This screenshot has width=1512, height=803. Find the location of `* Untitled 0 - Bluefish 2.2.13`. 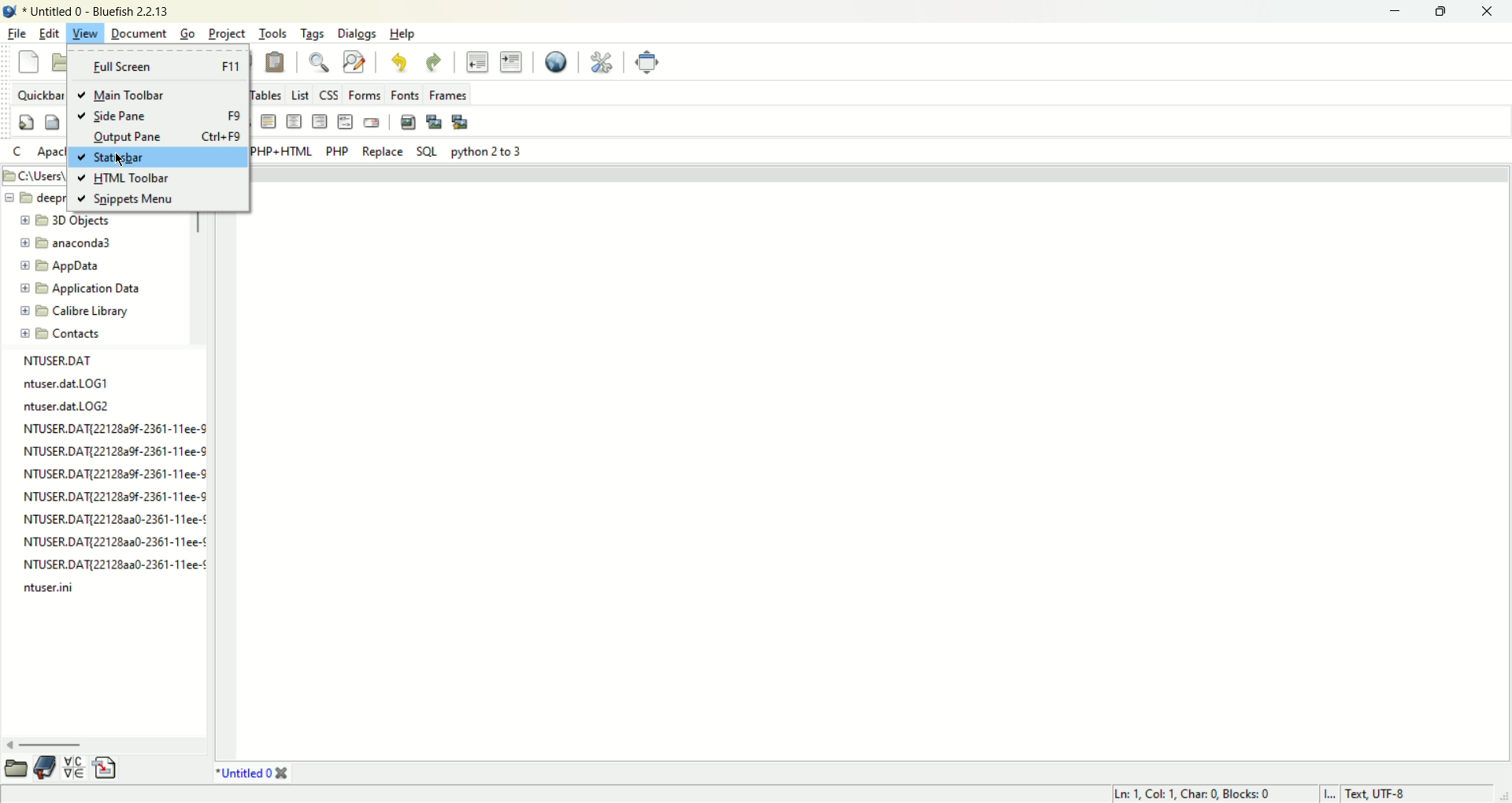

* Untitled 0 - Bluefish 2.2.13 is located at coordinates (95, 12).